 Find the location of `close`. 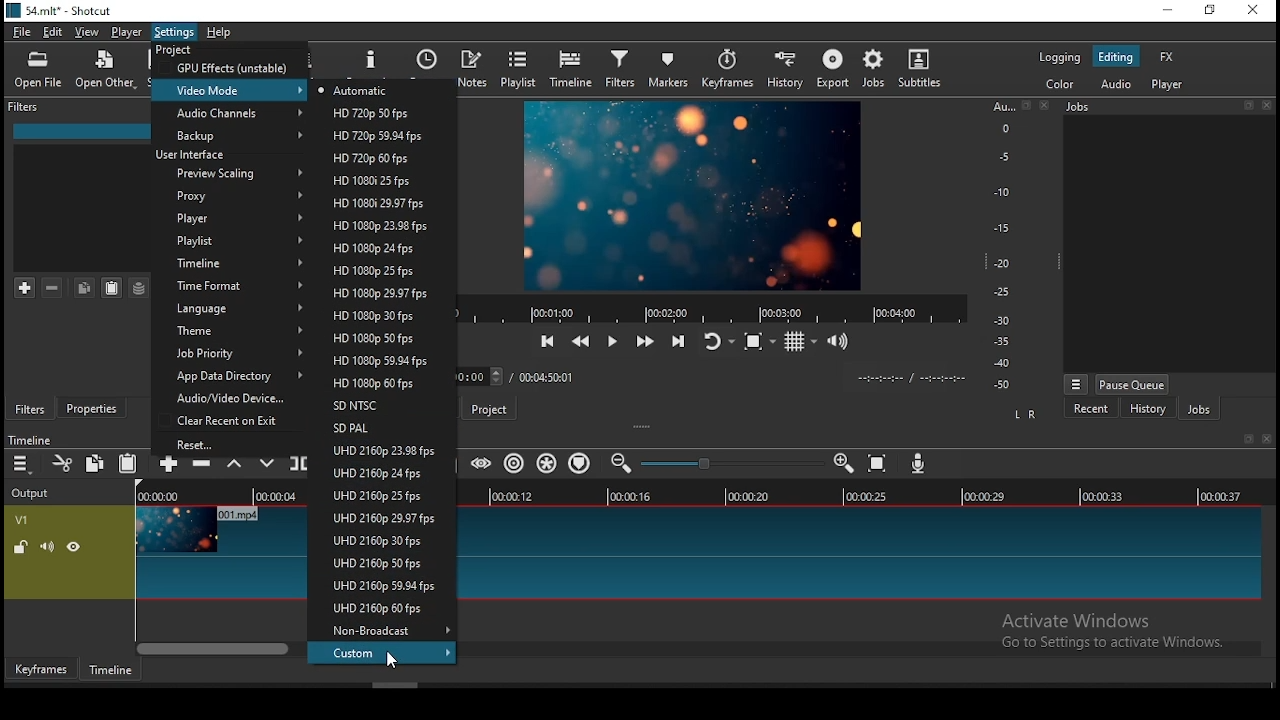

close is located at coordinates (1047, 105).